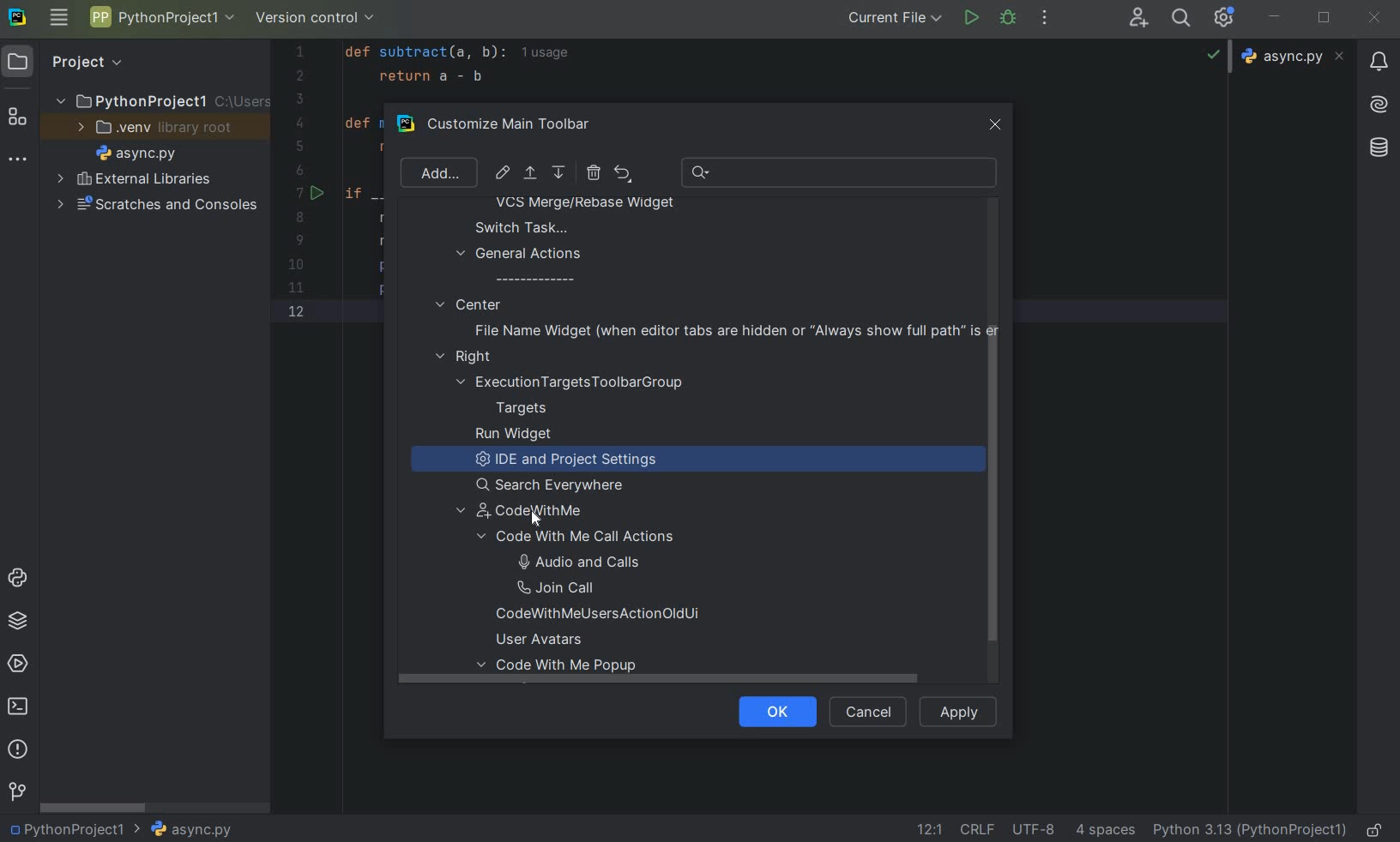 The width and height of the screenshot is (1400, 842). What do you see at coordinates (927, 829) in the screenshot?
I see `GO TO LINE` at bounding box center [927, 829].